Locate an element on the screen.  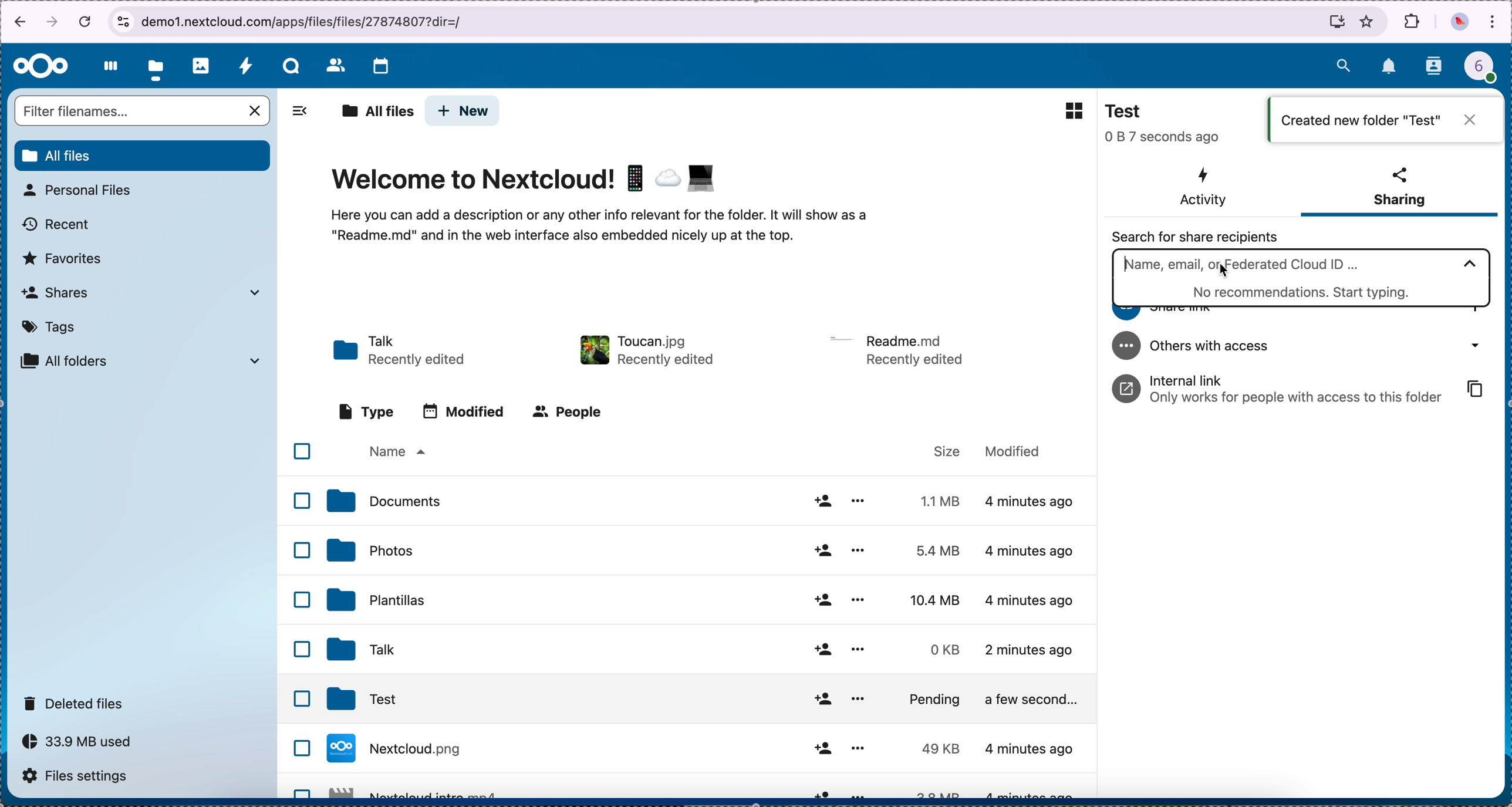
grid view is located at coordinates (1068, 110).